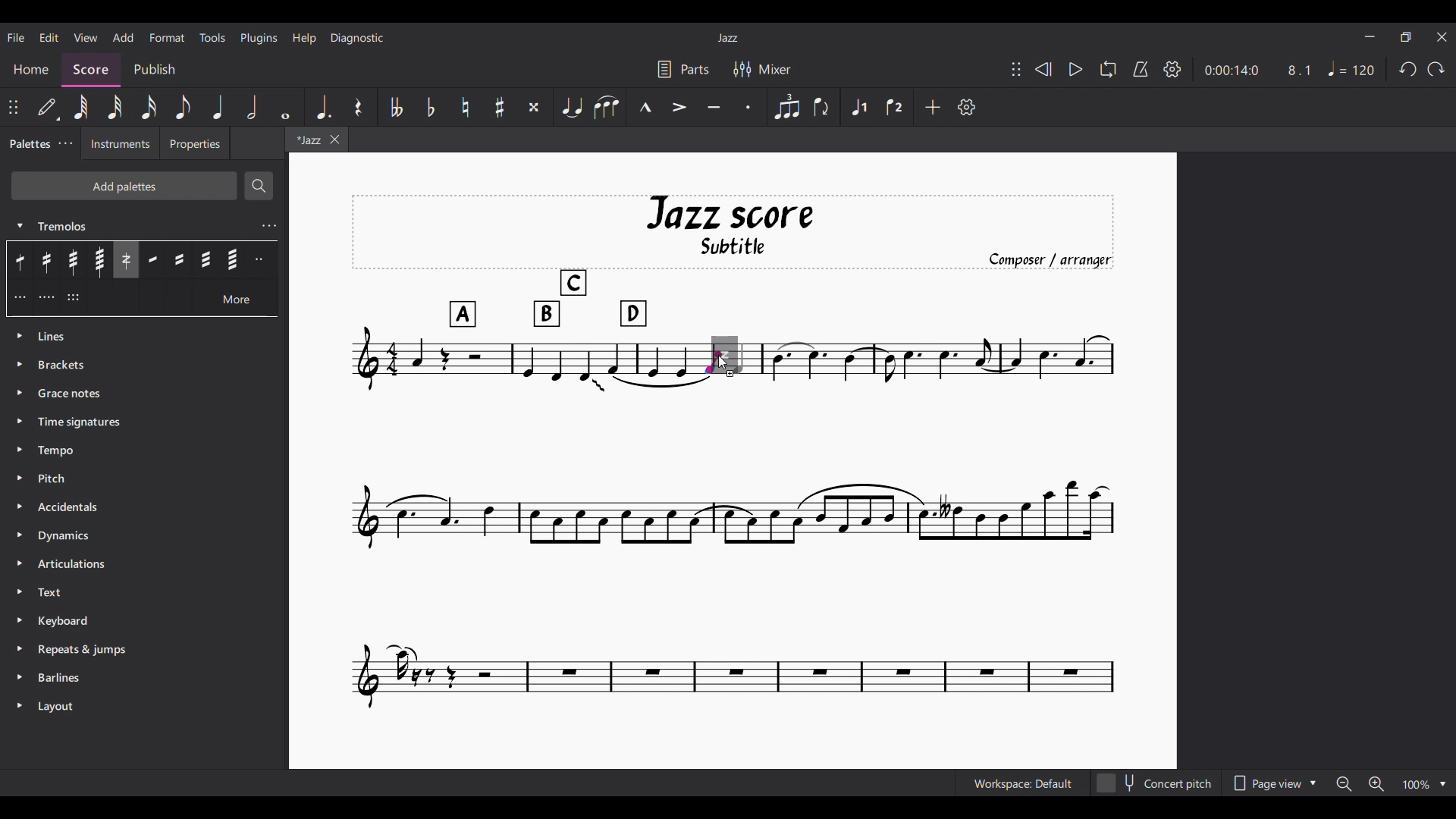 The width and height of the screenshot is (1456, 819). What do you see at coordinates (179, 259) in the screenshot?
I see `16th between notes` at bounding box center [179, 259].